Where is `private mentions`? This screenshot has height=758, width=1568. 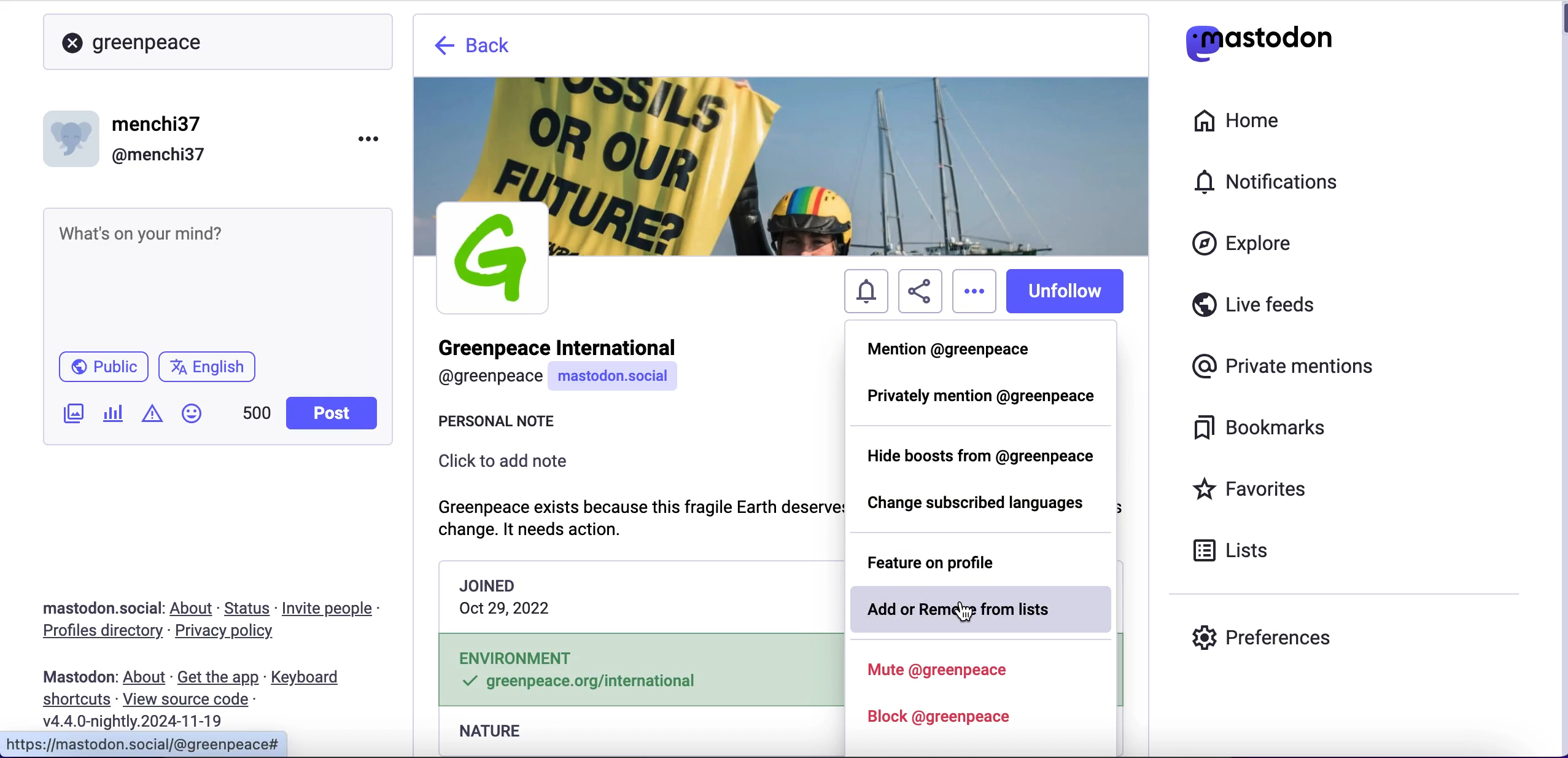 private mentions is located at coordinates (1287, 363).